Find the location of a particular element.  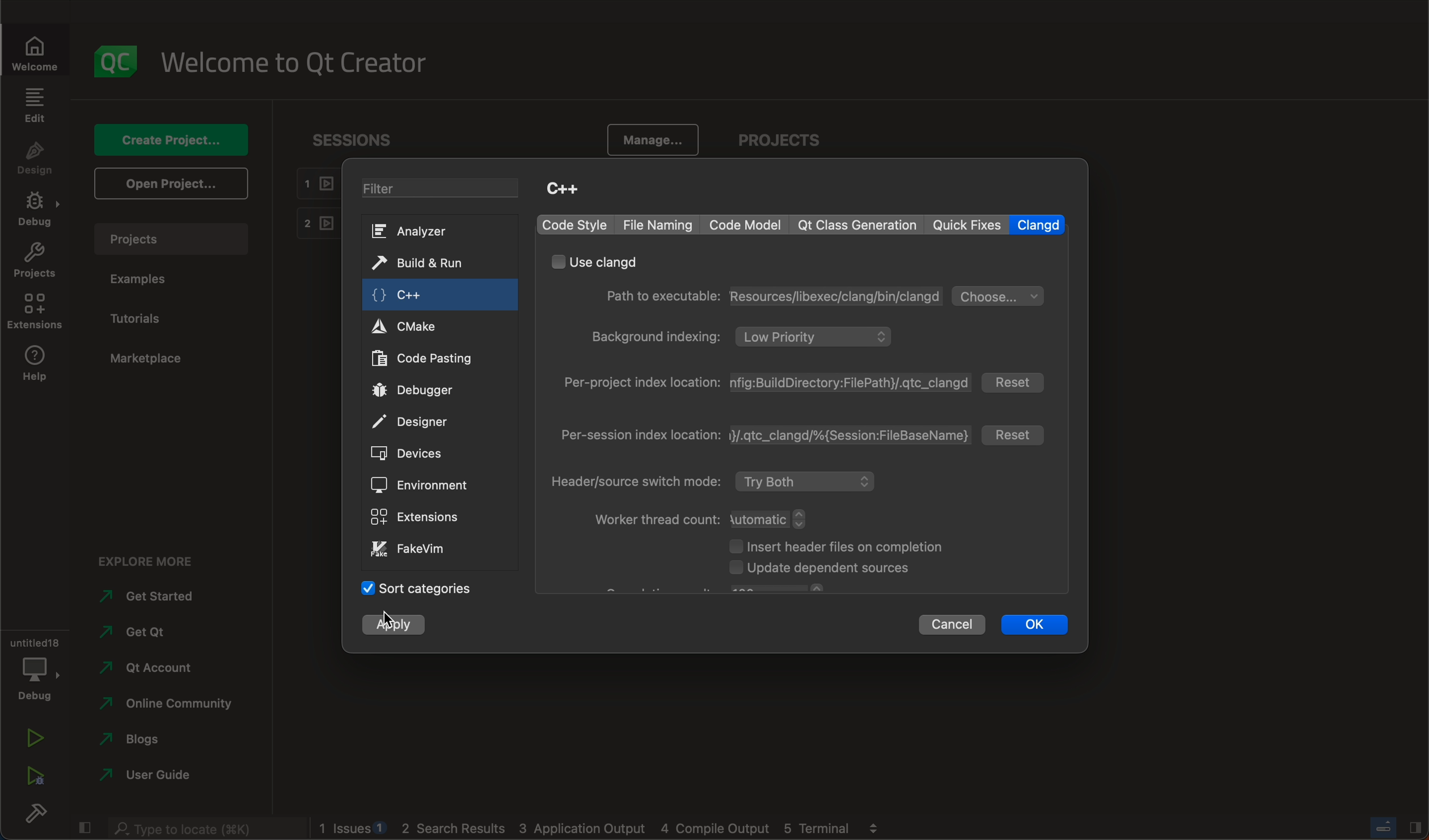

account is located at coordinates (153, 667).